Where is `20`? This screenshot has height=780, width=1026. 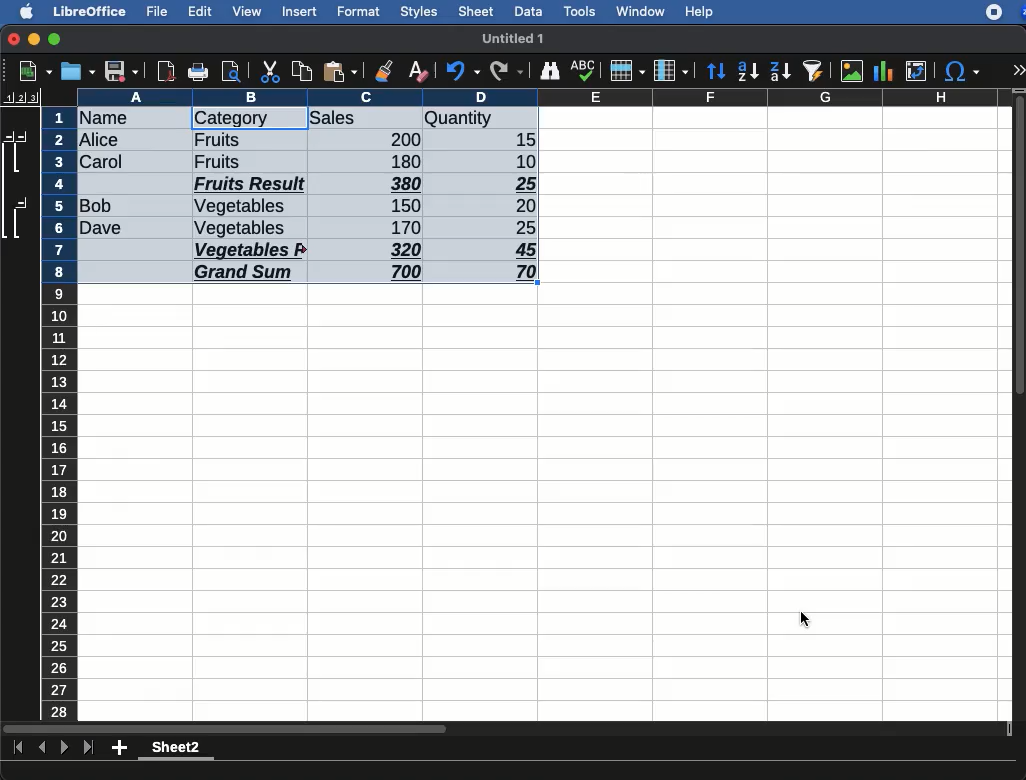
20 is located at coordinates (514, 205).